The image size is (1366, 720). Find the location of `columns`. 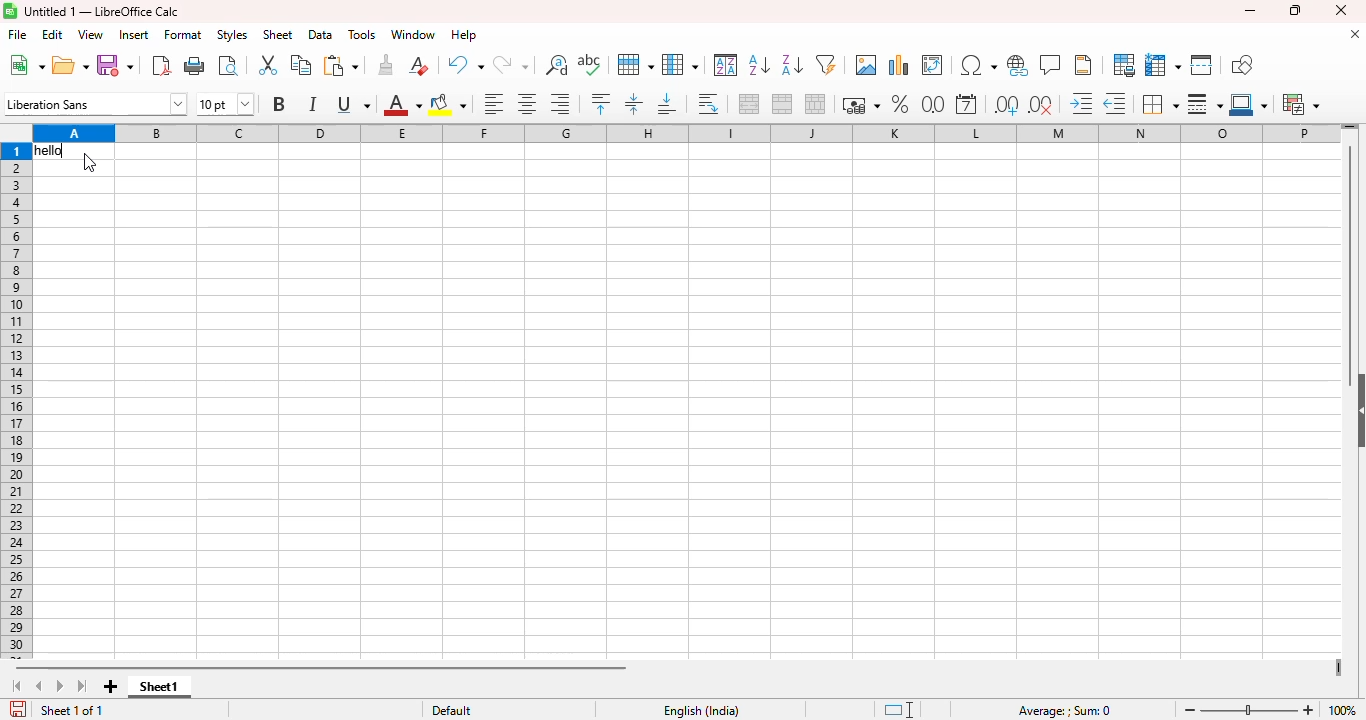

columns is located at coordinates (685, 134).